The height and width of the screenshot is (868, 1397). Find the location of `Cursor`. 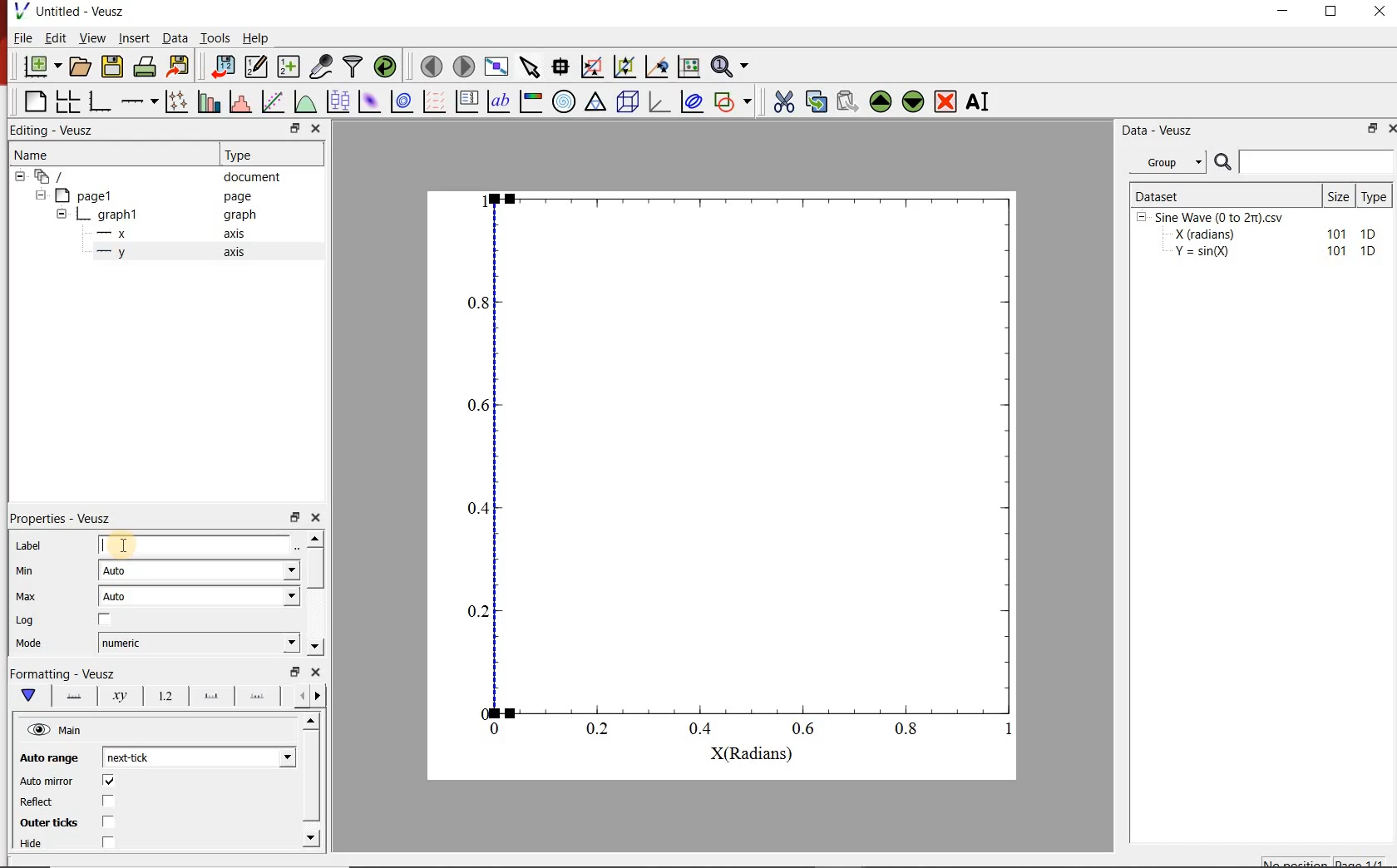

Cursor is located at coordinates (126, 544).